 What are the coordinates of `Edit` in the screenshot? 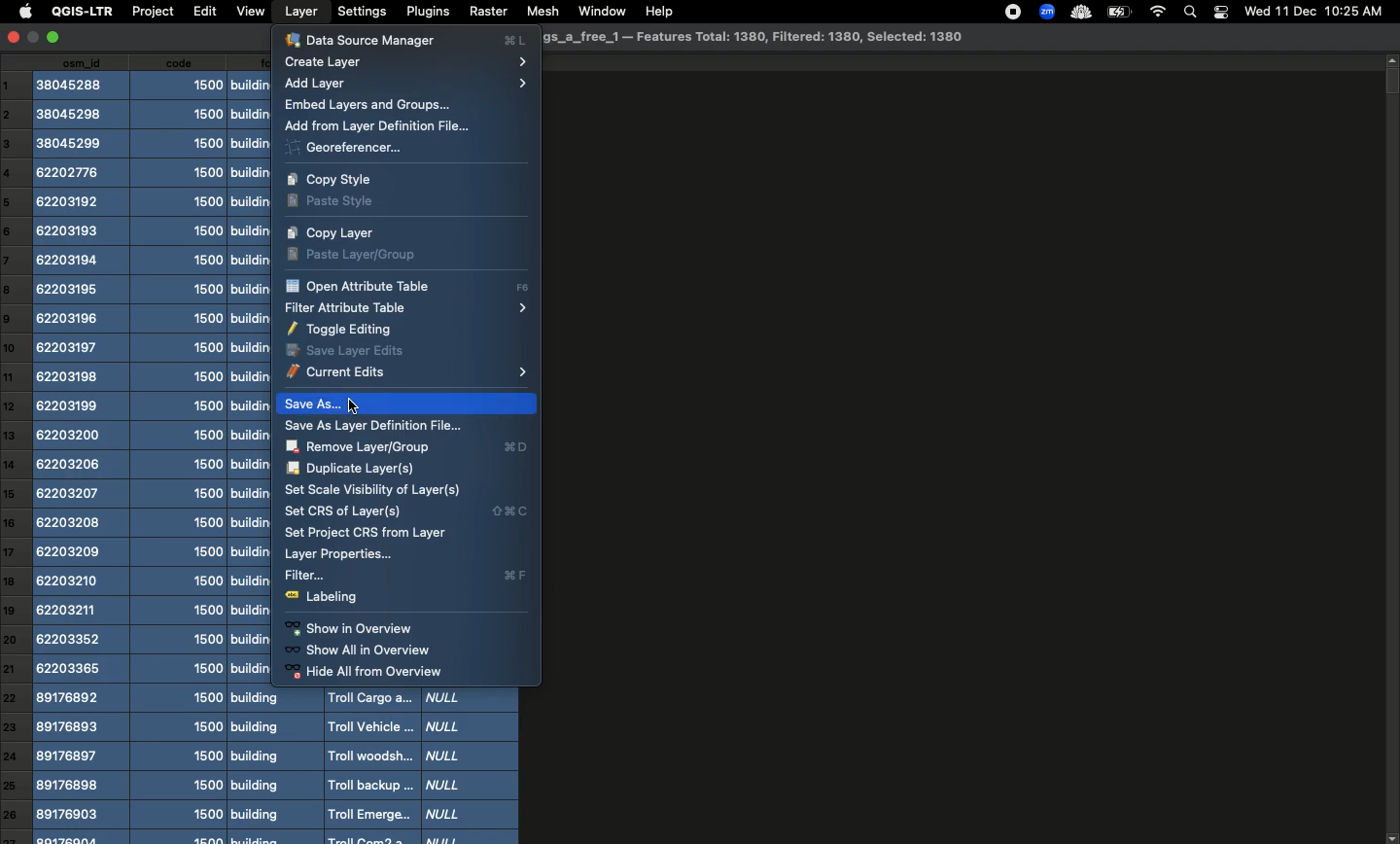 It's located at (202, 11).